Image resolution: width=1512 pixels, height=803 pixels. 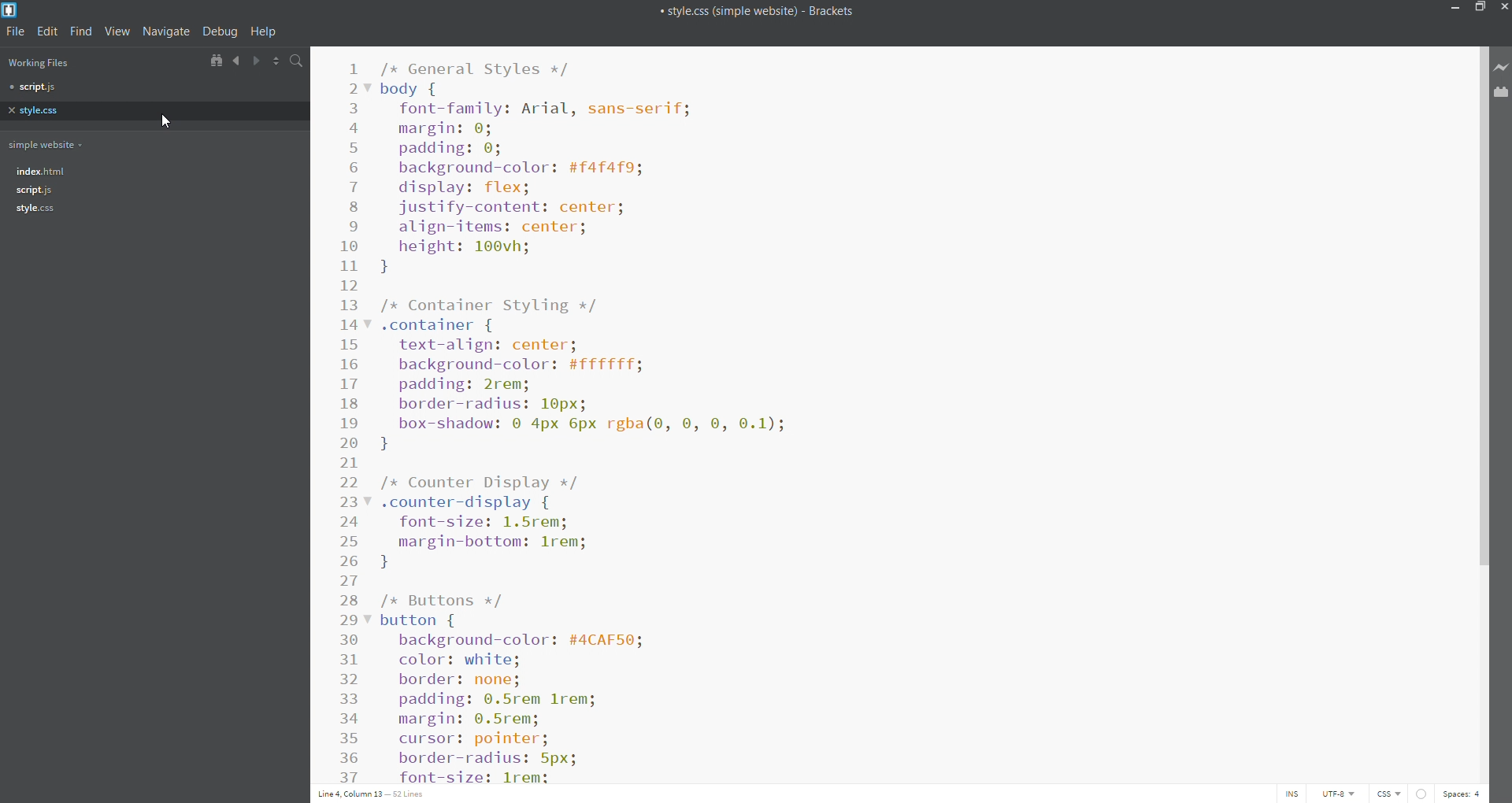 What do you see at coordinates (118, 31) in the screenshot?
I see `view` at bounding box center [118, 31].